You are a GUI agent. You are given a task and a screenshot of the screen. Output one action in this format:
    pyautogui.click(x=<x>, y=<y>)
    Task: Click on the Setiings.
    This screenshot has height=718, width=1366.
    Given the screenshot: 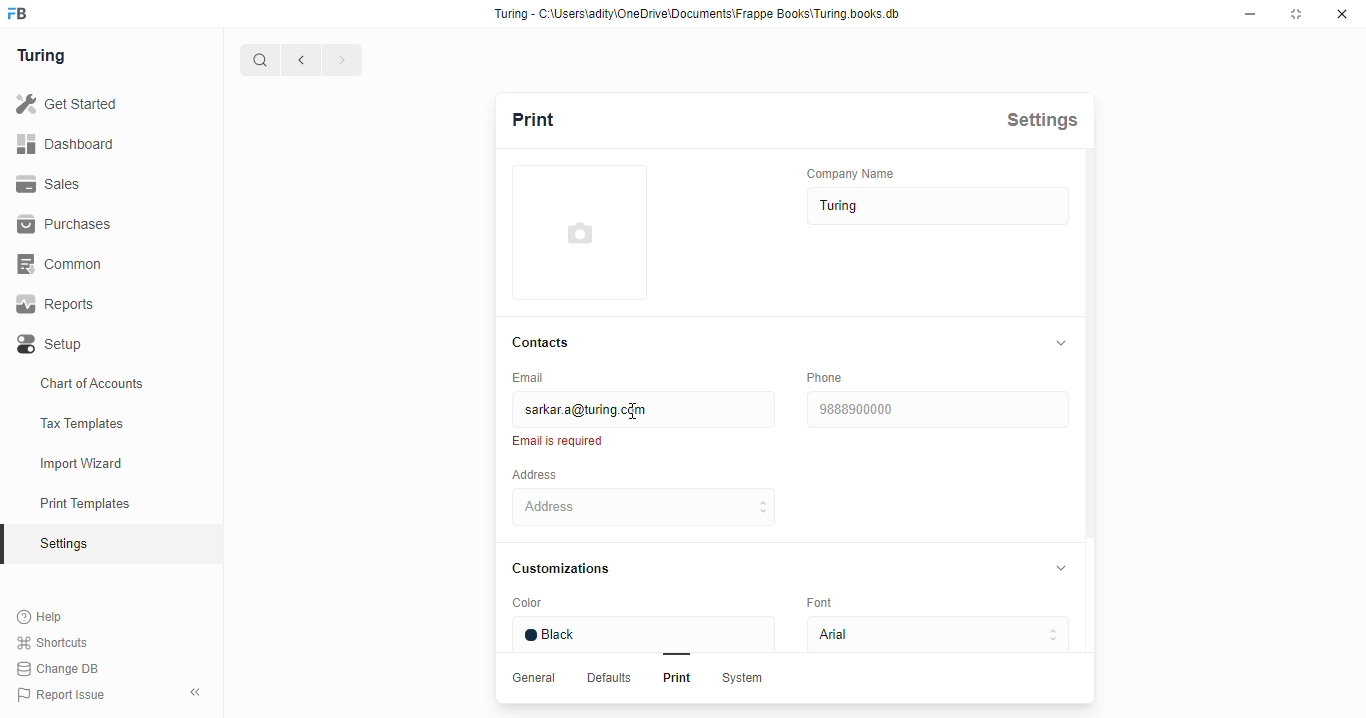 What is the action you would take?
    pyautogui.click(x=111, y=544)
    